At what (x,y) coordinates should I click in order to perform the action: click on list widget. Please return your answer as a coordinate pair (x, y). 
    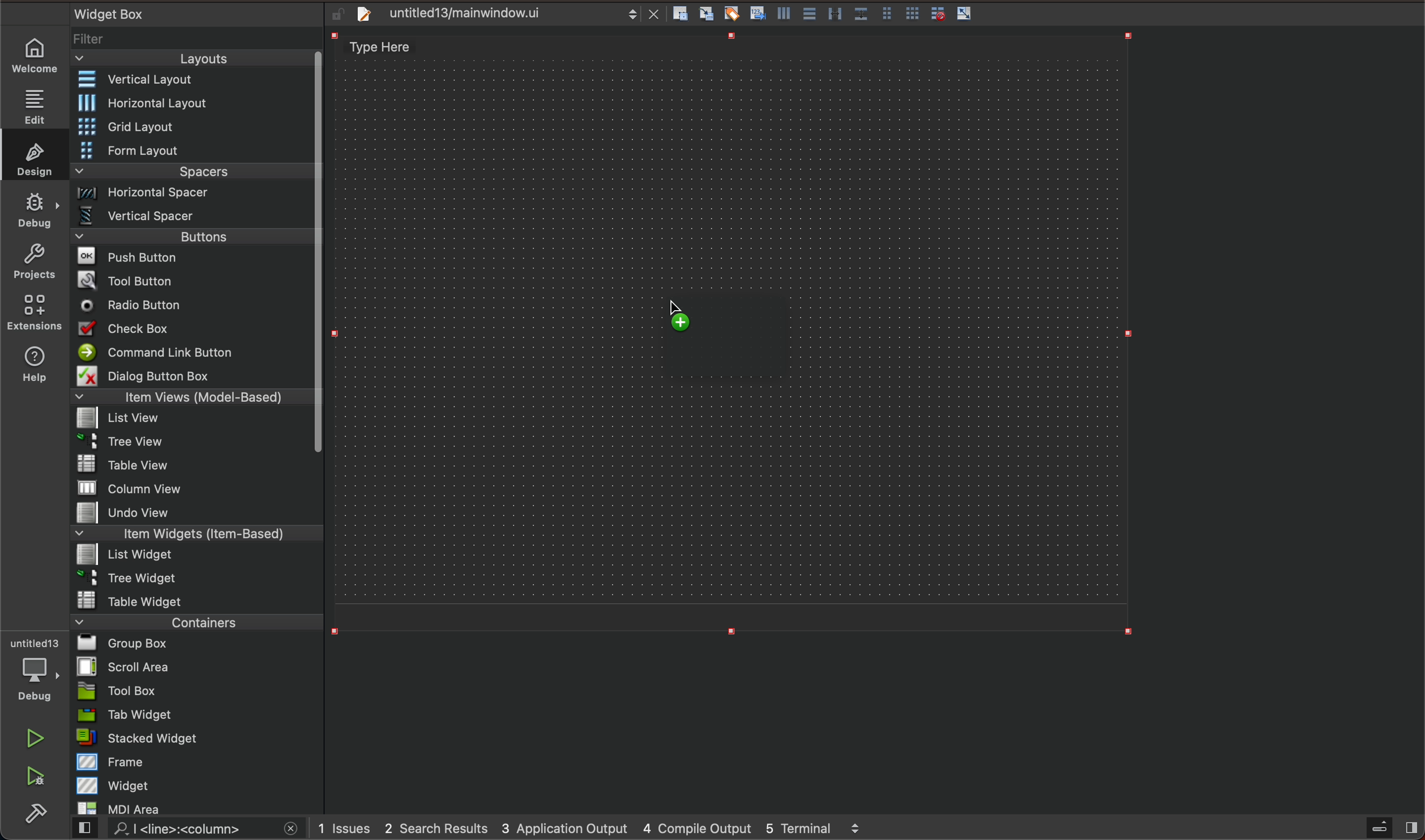
    Looking at the image, I should click on (193, 556).